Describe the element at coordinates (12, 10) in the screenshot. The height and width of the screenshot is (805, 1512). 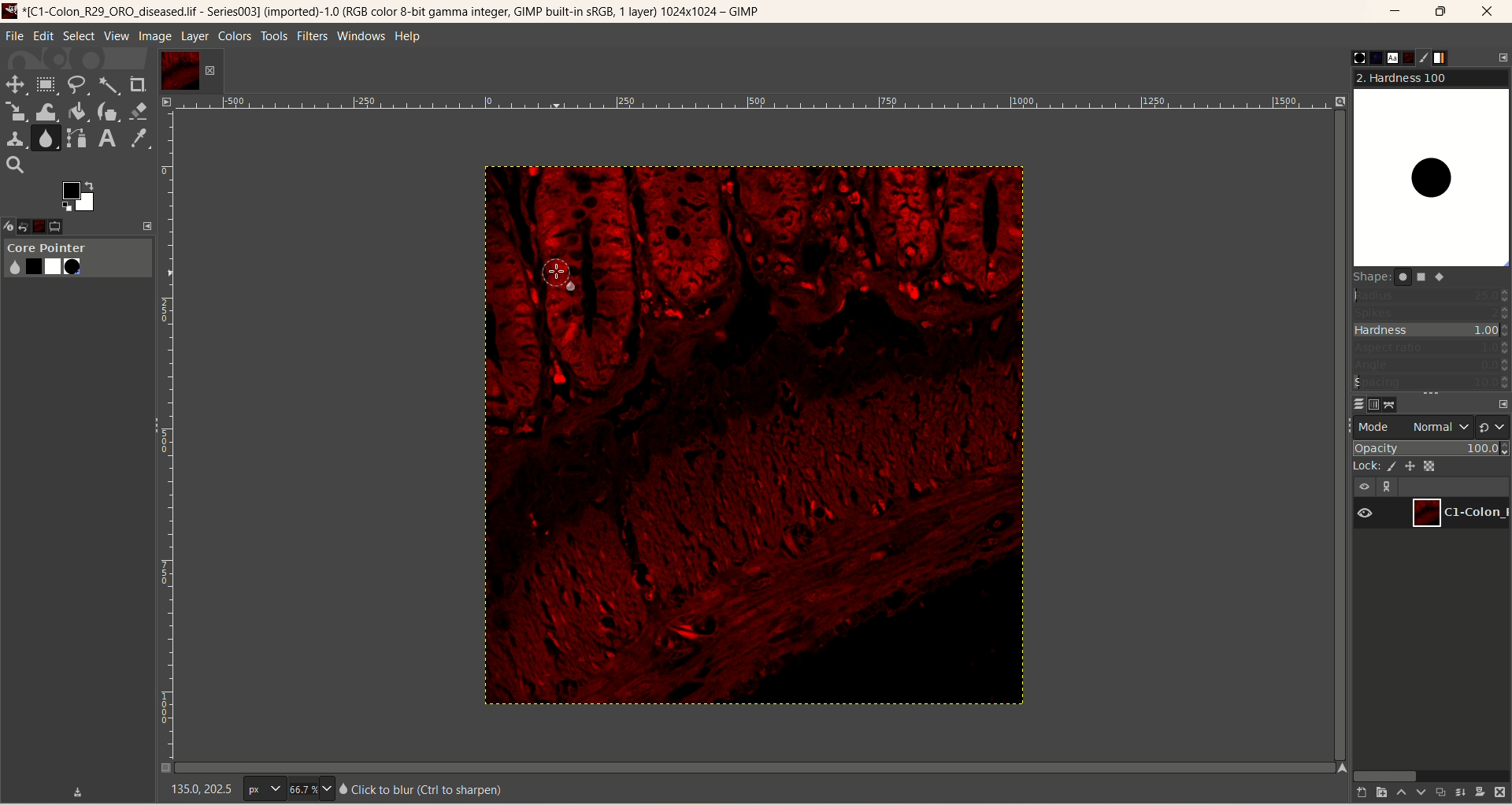
I see `logo` at that location.